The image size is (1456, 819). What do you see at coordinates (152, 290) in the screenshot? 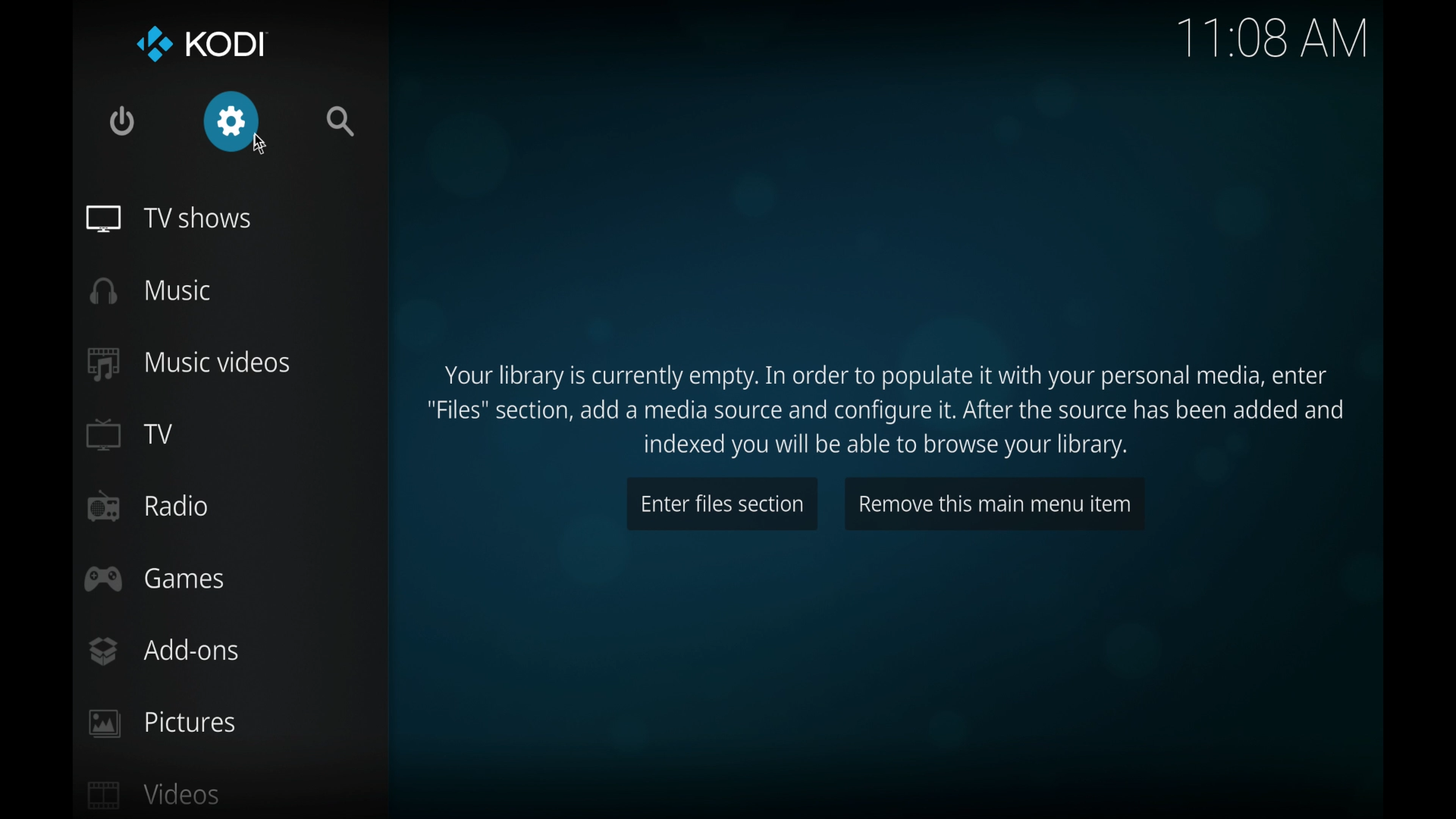
I see `music` at bounding box center [152, 290].